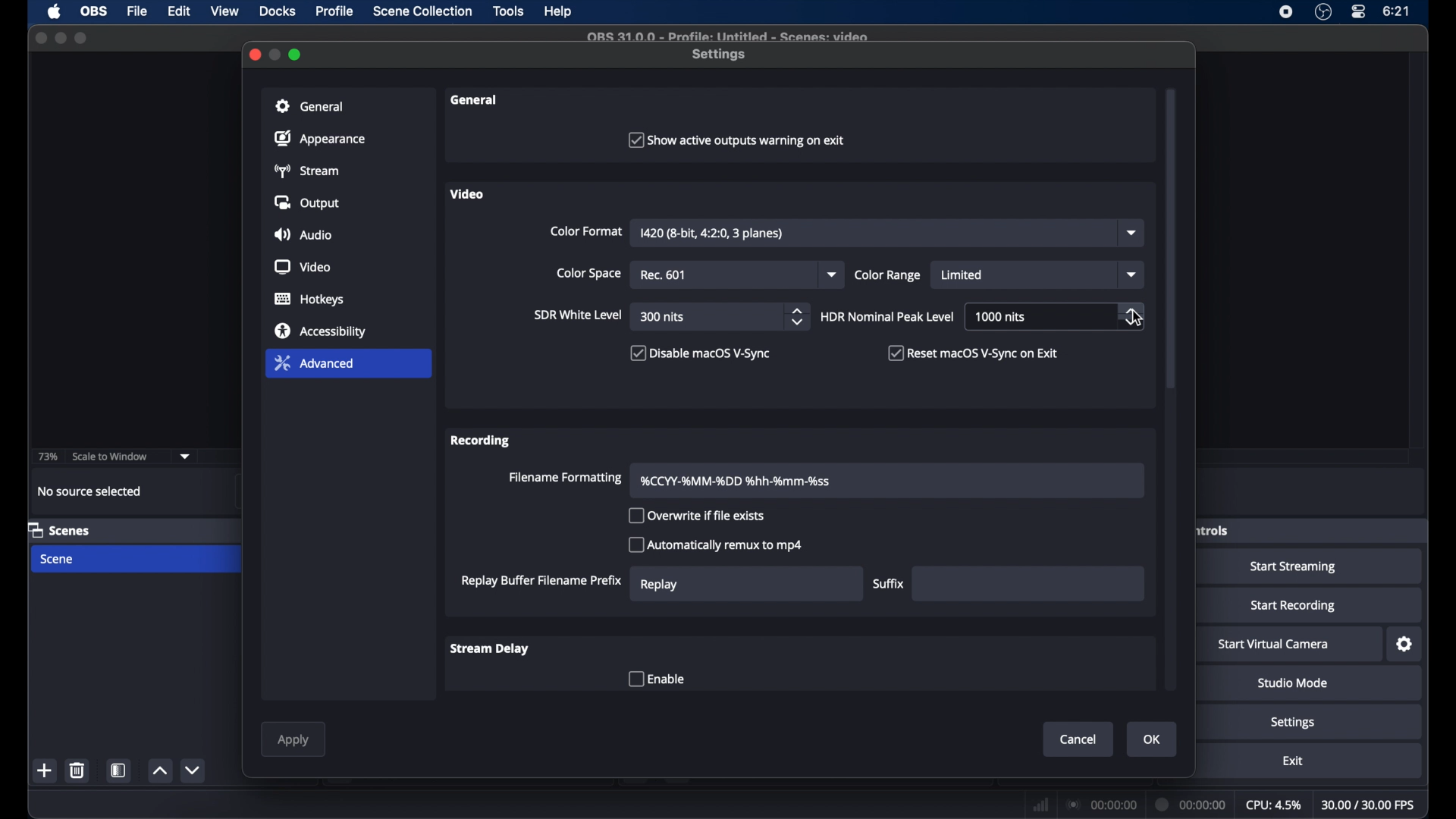 This screenshot has width=1456, height=819. What do you see at coordinates (1370, 805) in the screenshot?
I see `fps` at bounding box center [1370, 805].